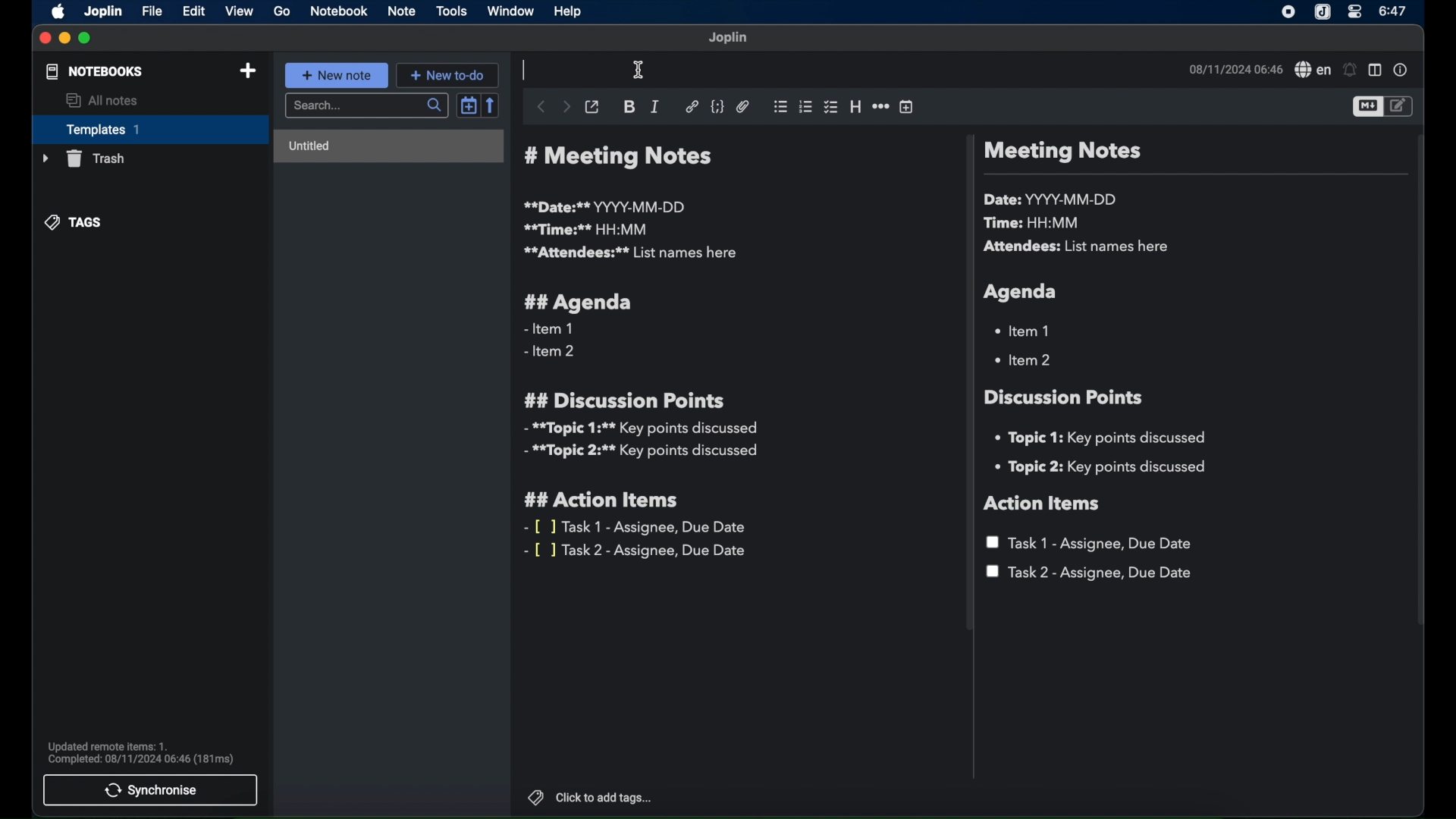 Image resolution: width=1456 pixels, height=819 pixels. What do you see at coordinates (624, 400) in the screenshot?
I see `## discussion points` at bounding box center [624, 400].